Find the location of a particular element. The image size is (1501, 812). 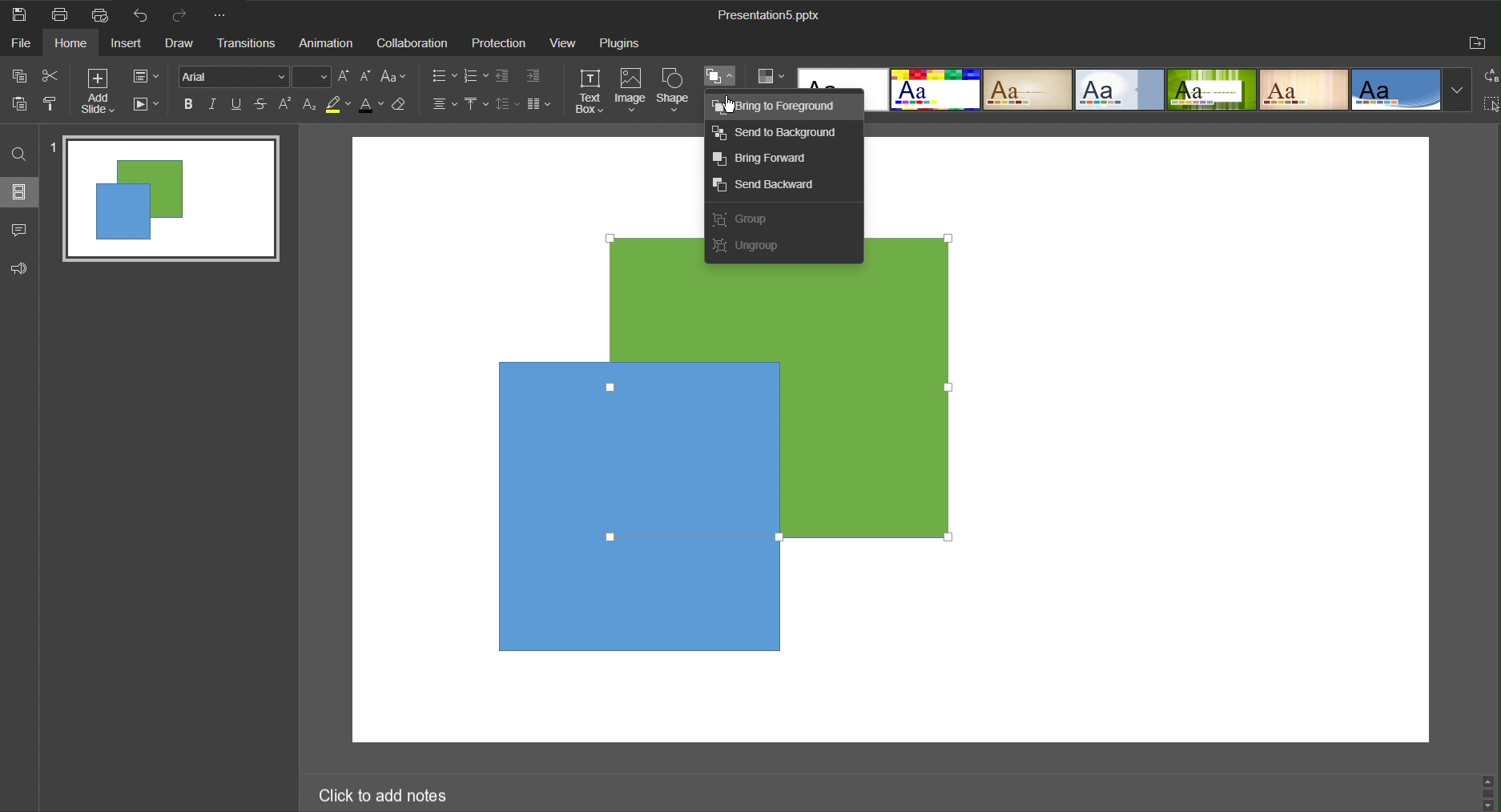

Send Backward is located at coordinates (772, 188).